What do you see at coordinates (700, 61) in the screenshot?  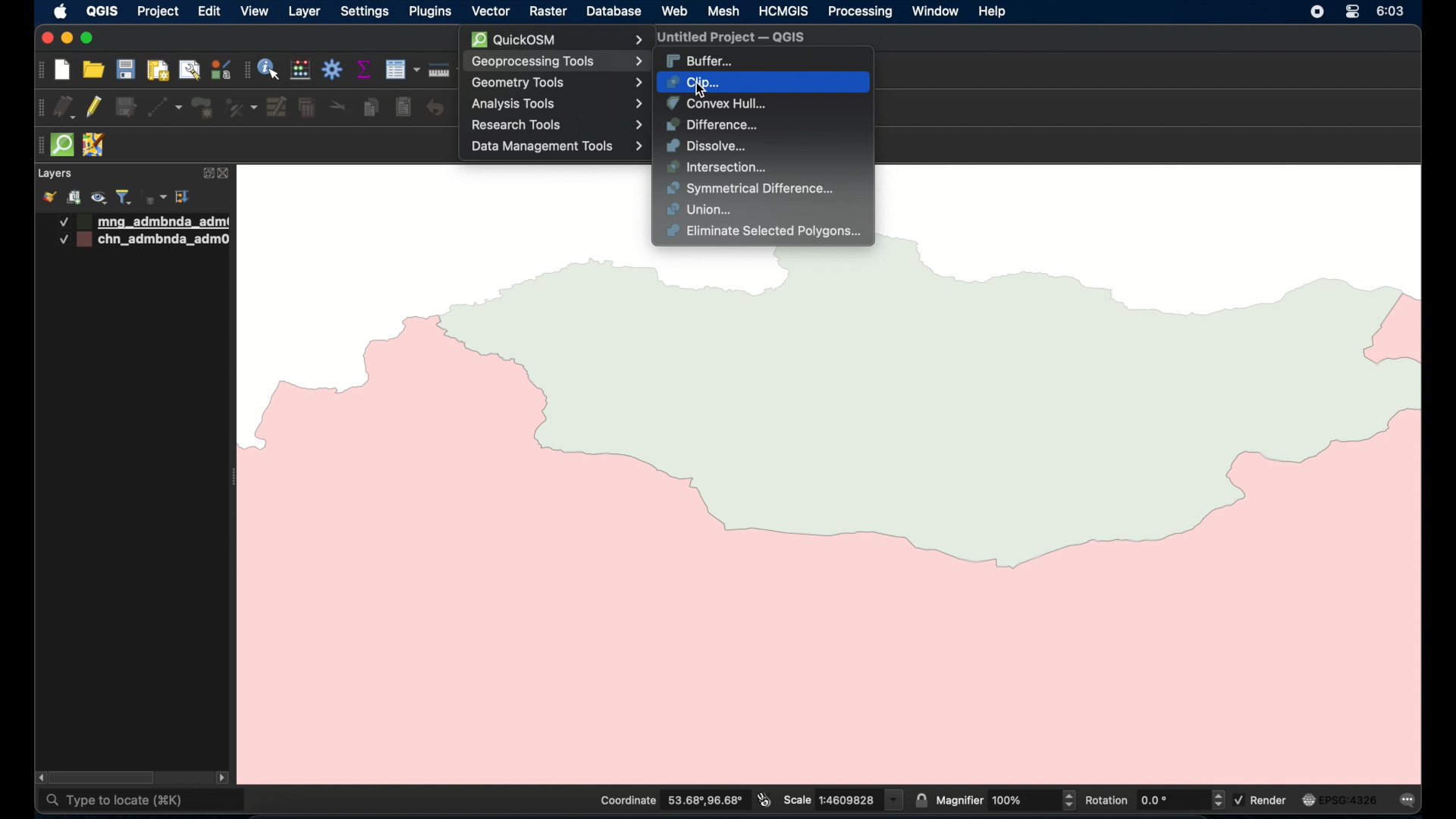 I see `buffer` at bounding box center [700, 61].